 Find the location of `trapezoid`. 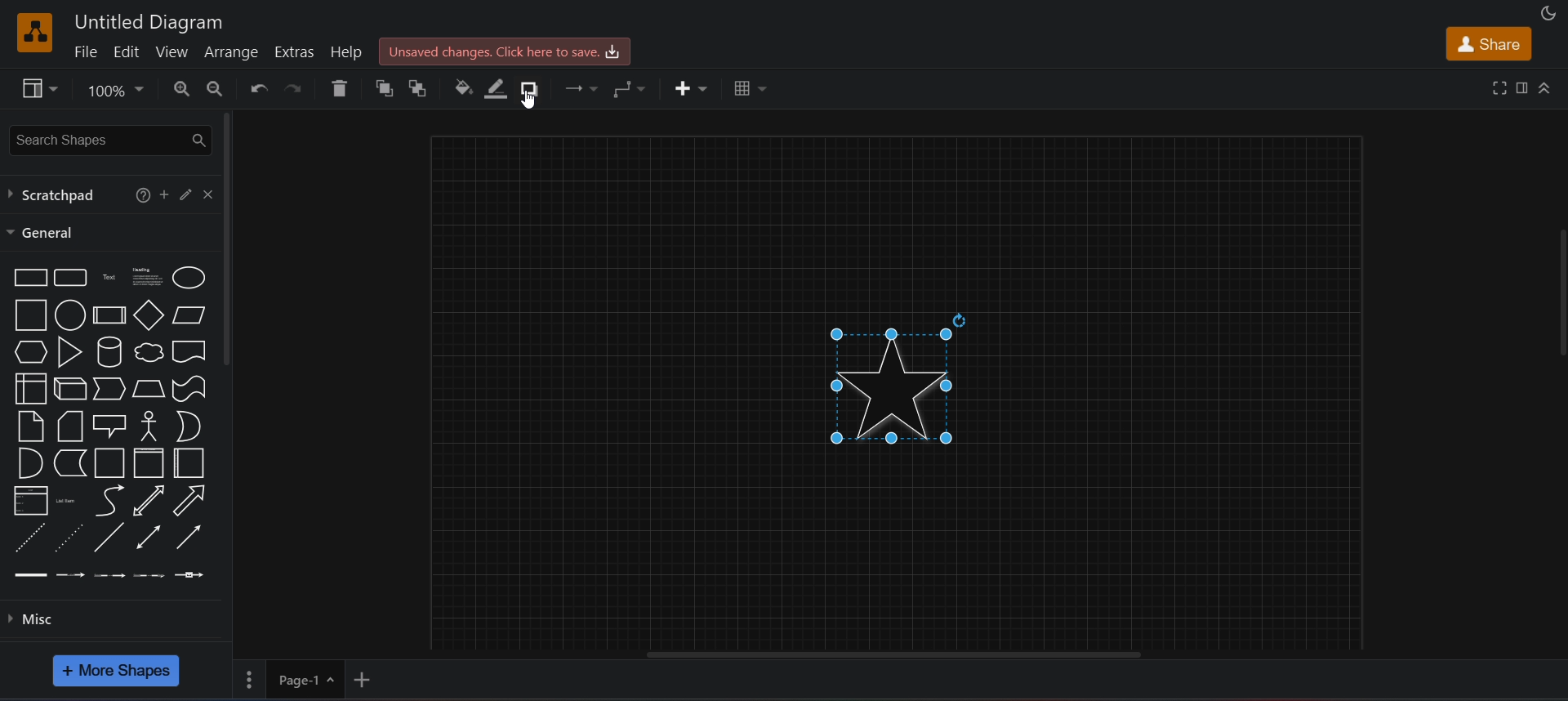

trapezoid is located at coordinates (148, 388).